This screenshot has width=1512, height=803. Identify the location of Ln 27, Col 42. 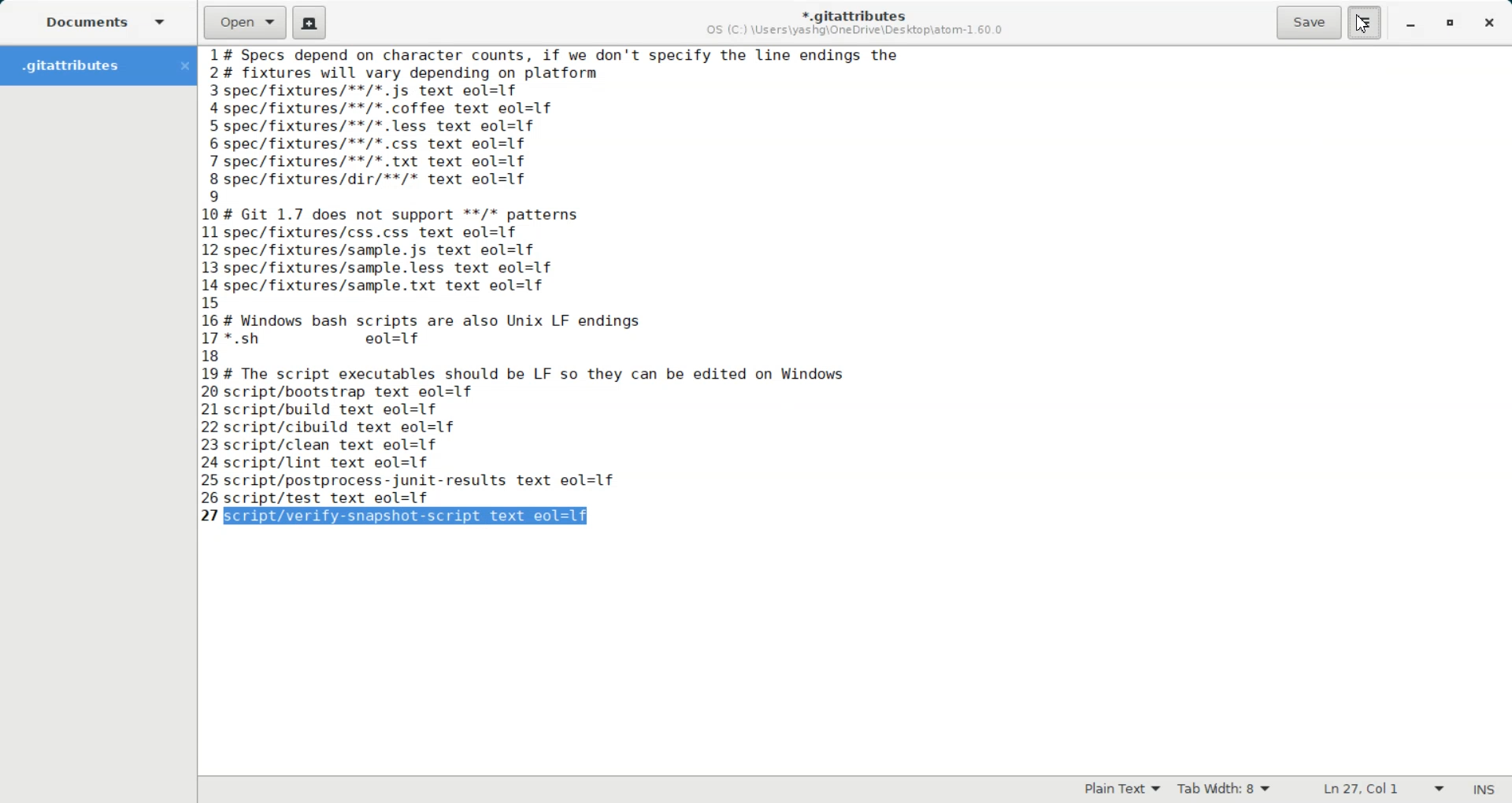
(1377, 790).